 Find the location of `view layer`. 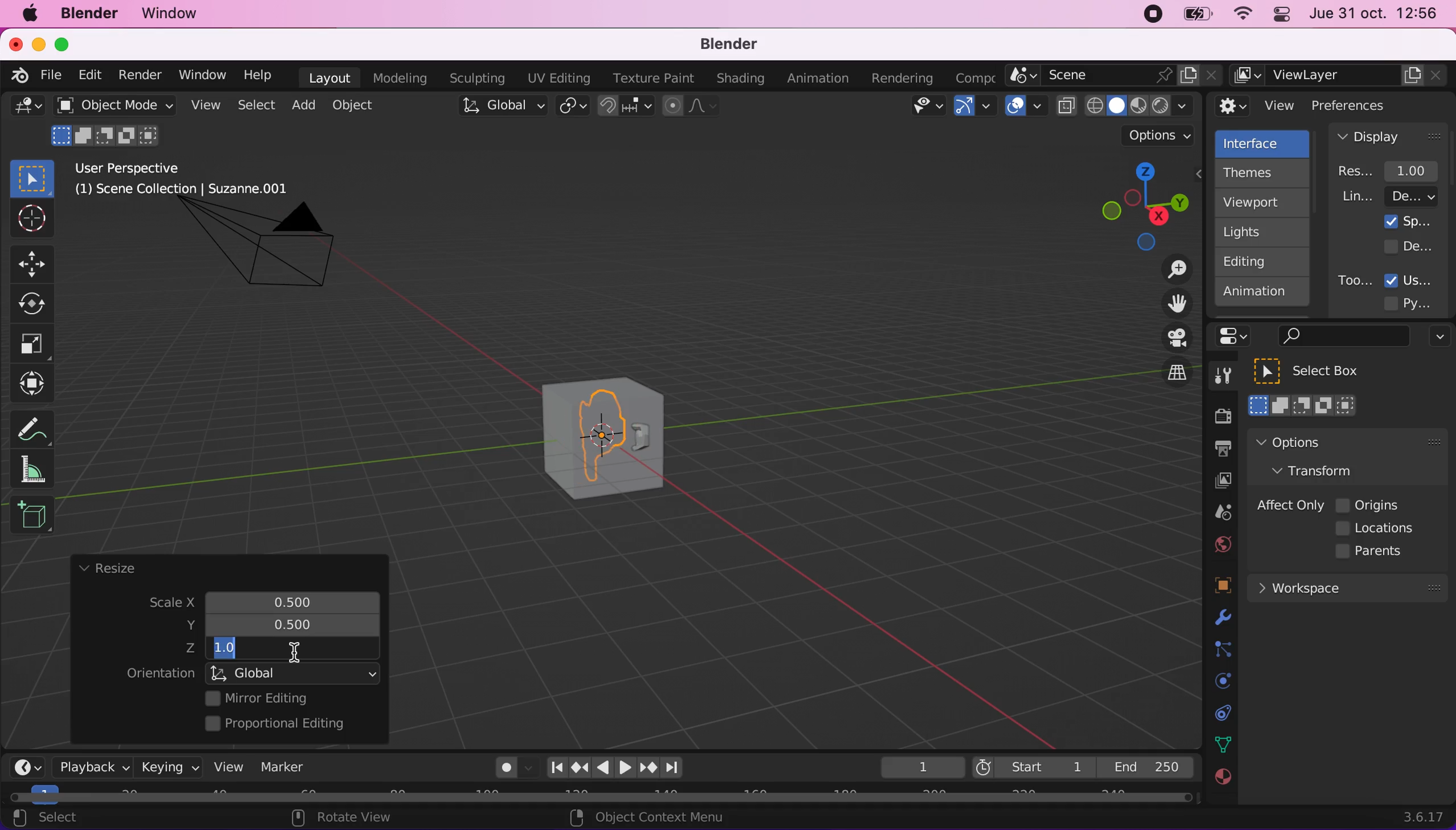

view layer is located at coordinates (1340, 76).